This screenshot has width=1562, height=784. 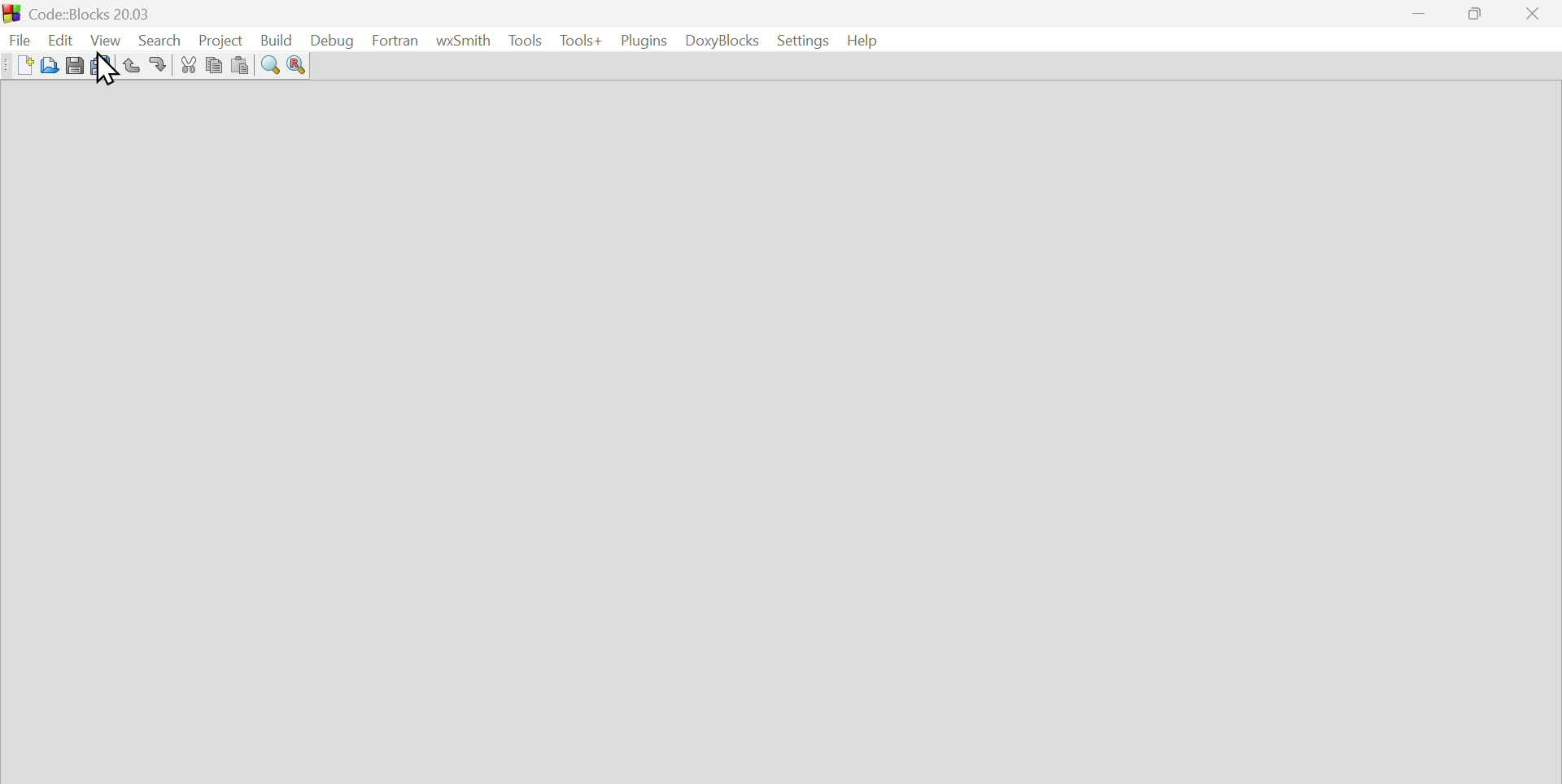 I want to click on Tools+, so click(x=581, y=41).